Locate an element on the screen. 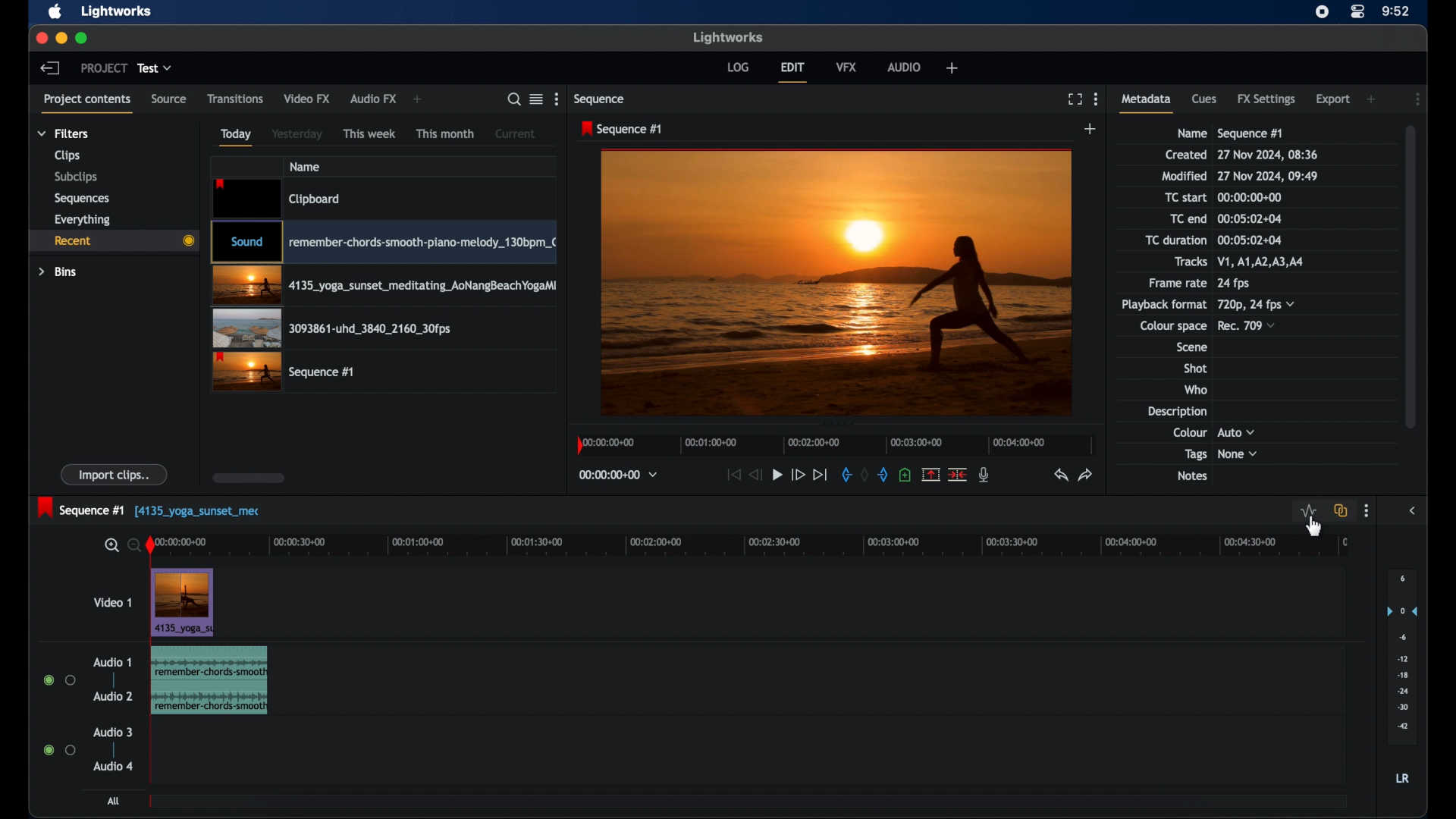 Image resolution: width=1456 pixels, height=819 pixels. minimize is located at coordinates (61, 38).